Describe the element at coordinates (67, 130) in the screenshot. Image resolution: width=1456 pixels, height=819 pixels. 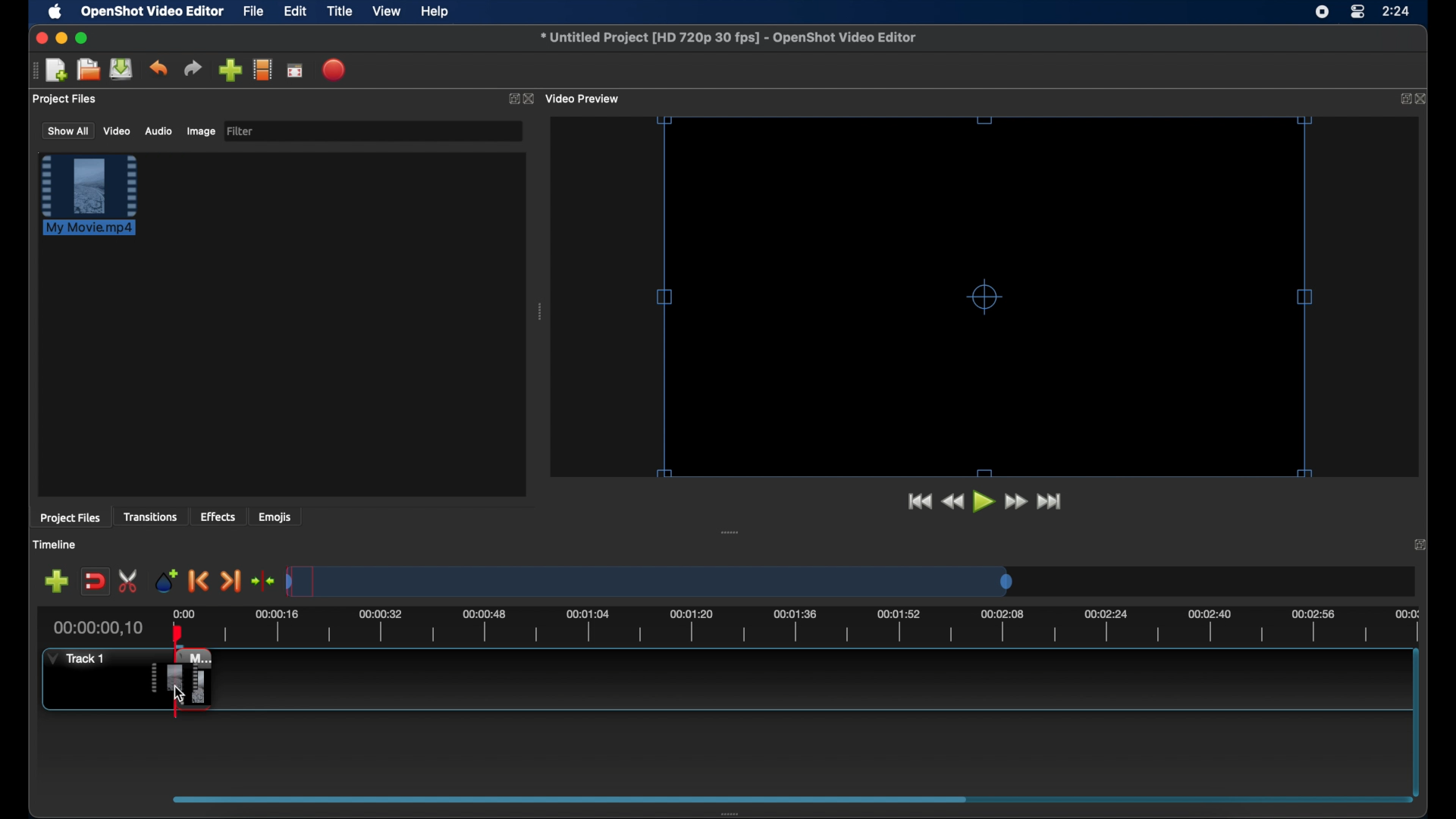
I see `show all` at that location.